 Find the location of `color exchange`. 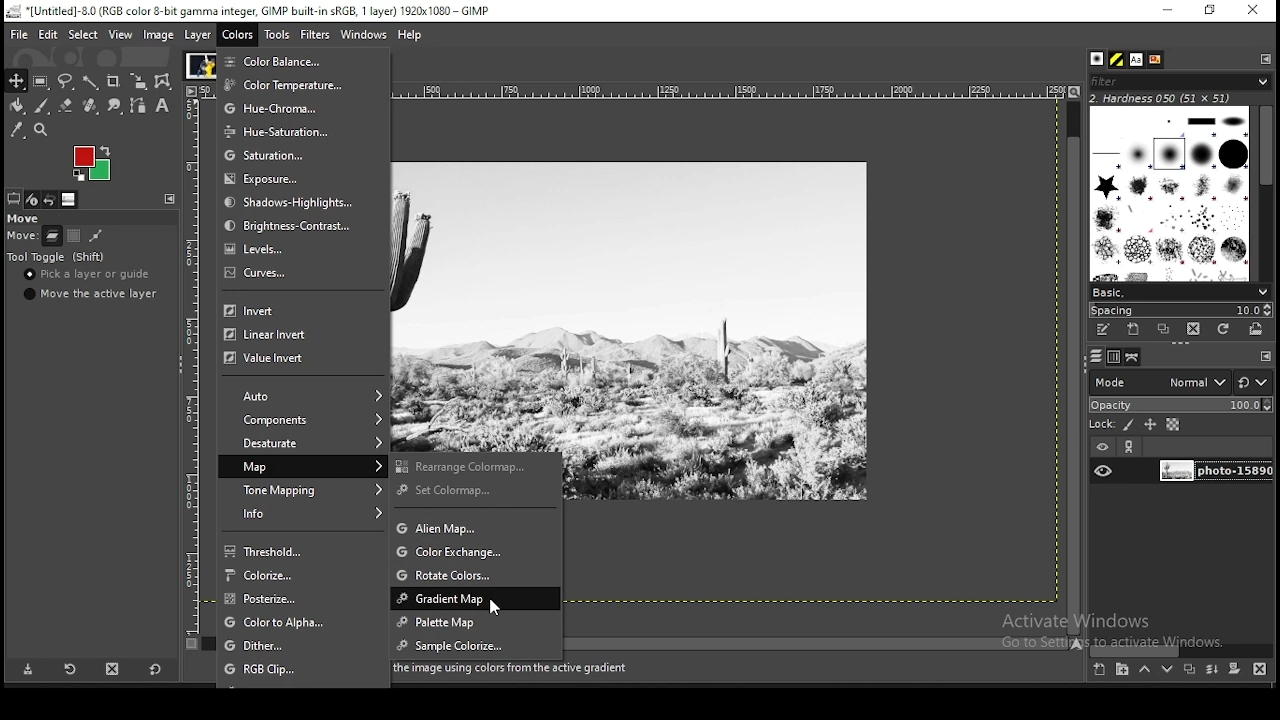

color exchange is located at coordinates (478, 551).